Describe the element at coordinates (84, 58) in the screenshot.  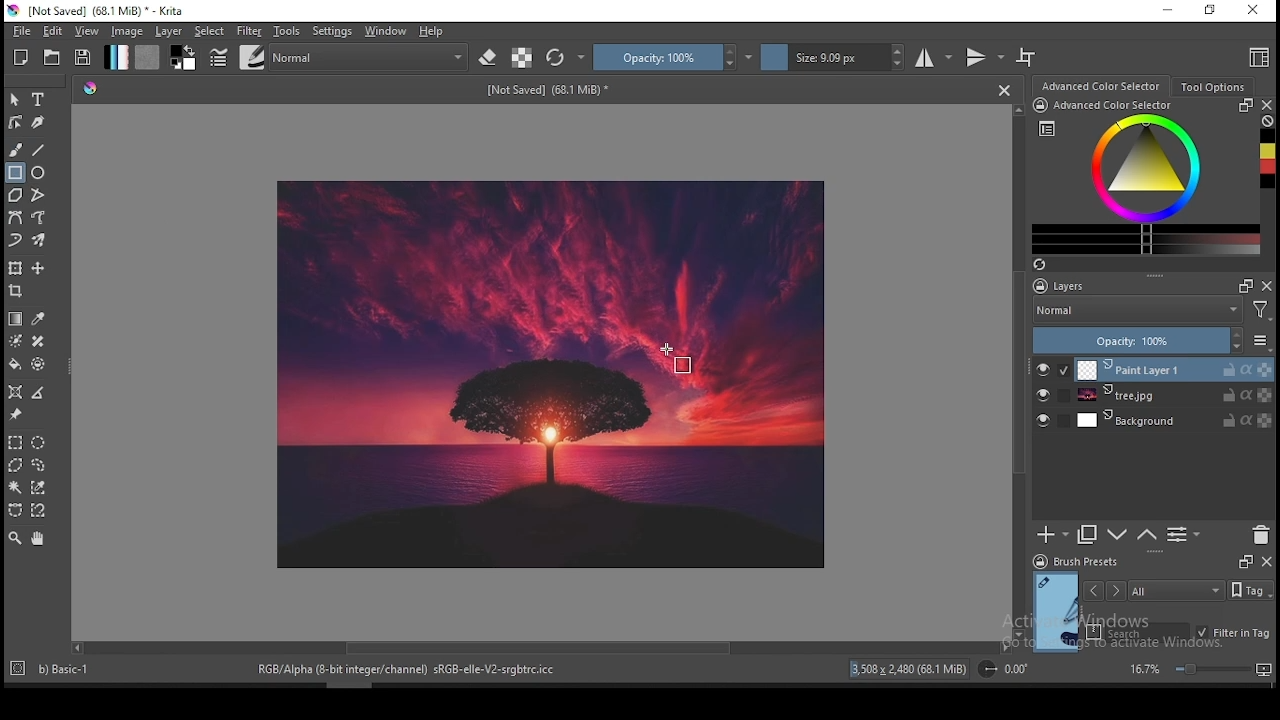
I see `save` at that location.